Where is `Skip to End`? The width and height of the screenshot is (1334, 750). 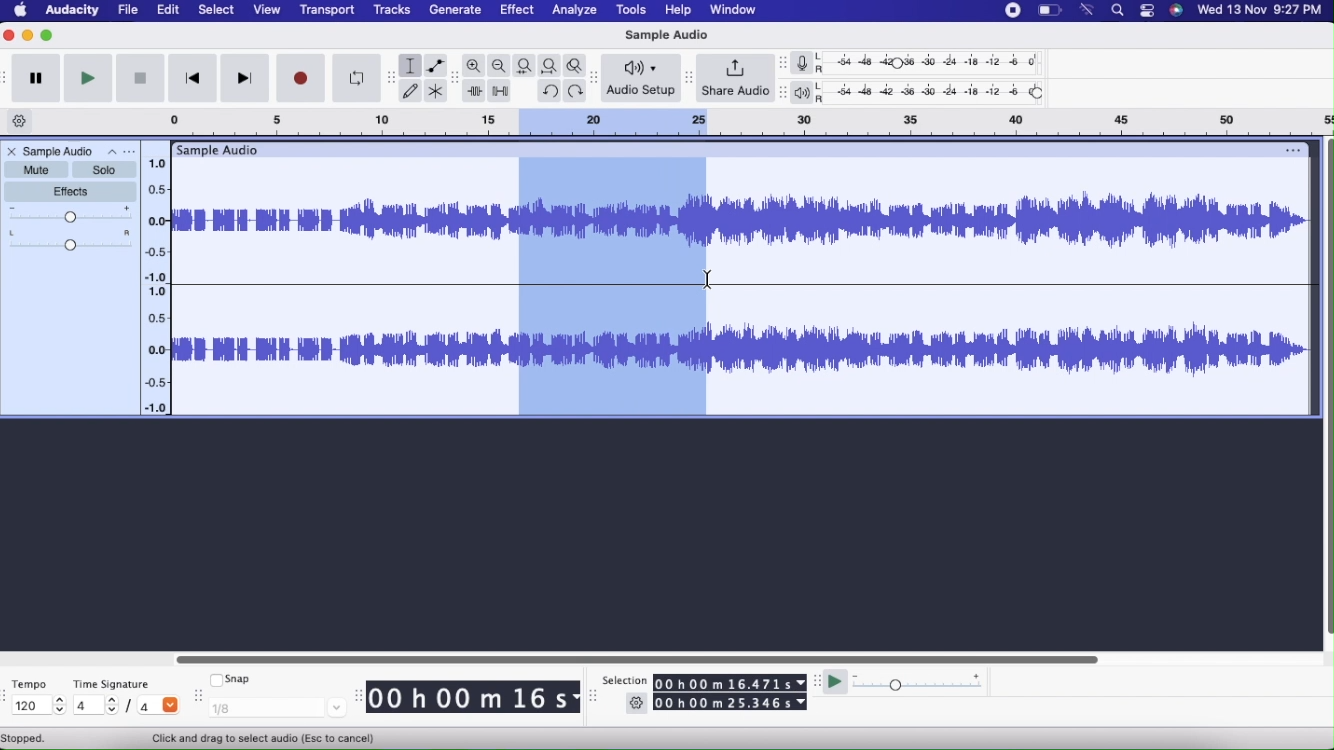 Skip to End is located at coordinates (246, 79).